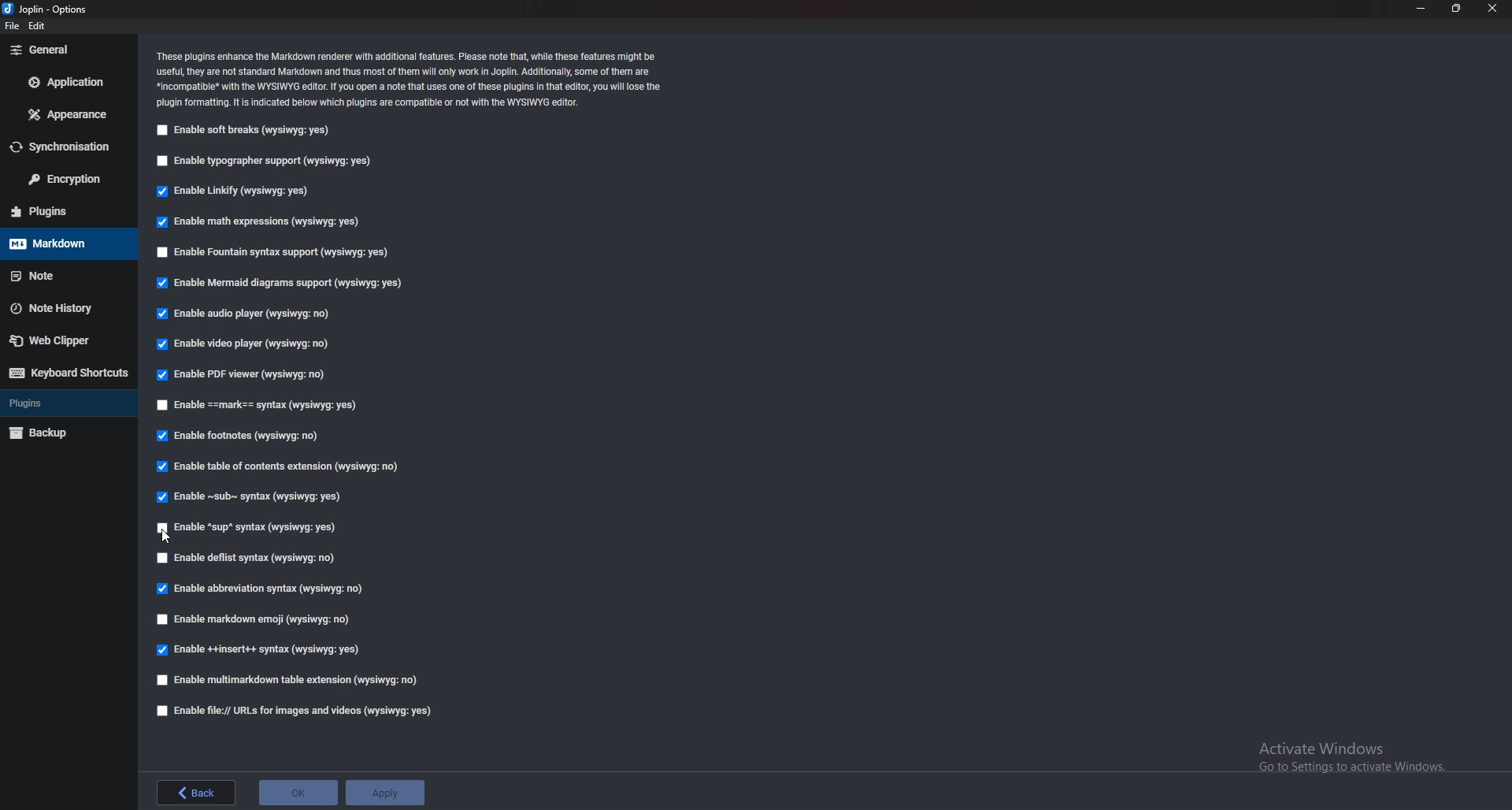  Describe the element at coordinates (1346, 755) in the screenshot. I see `Activate Windows
Go to Settings to activate Windows.` at that location.